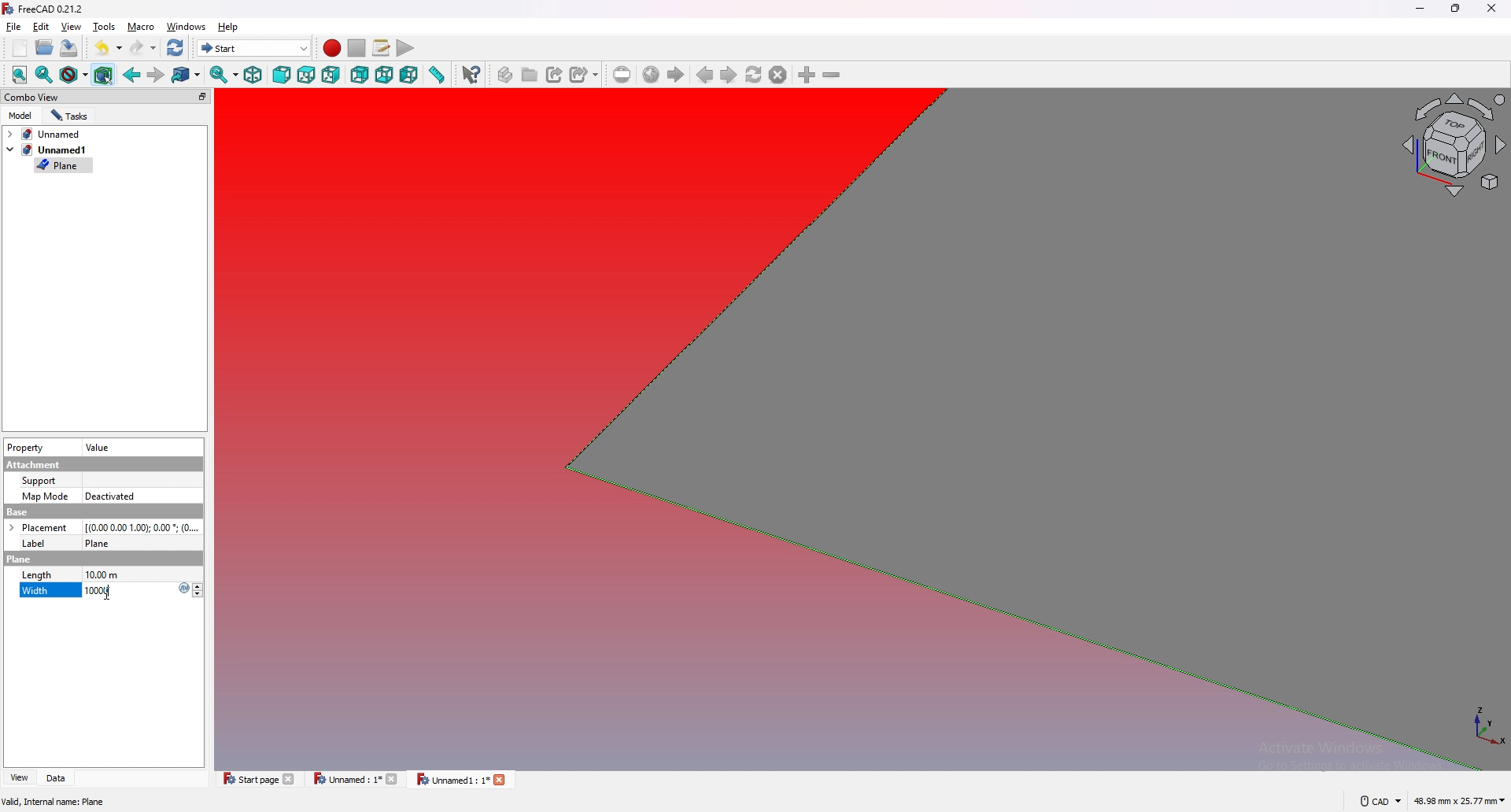 The image size is (1511, 812). Describe the element at coordinates (651, 76) in the screenshot. I see `go to website` at that location.